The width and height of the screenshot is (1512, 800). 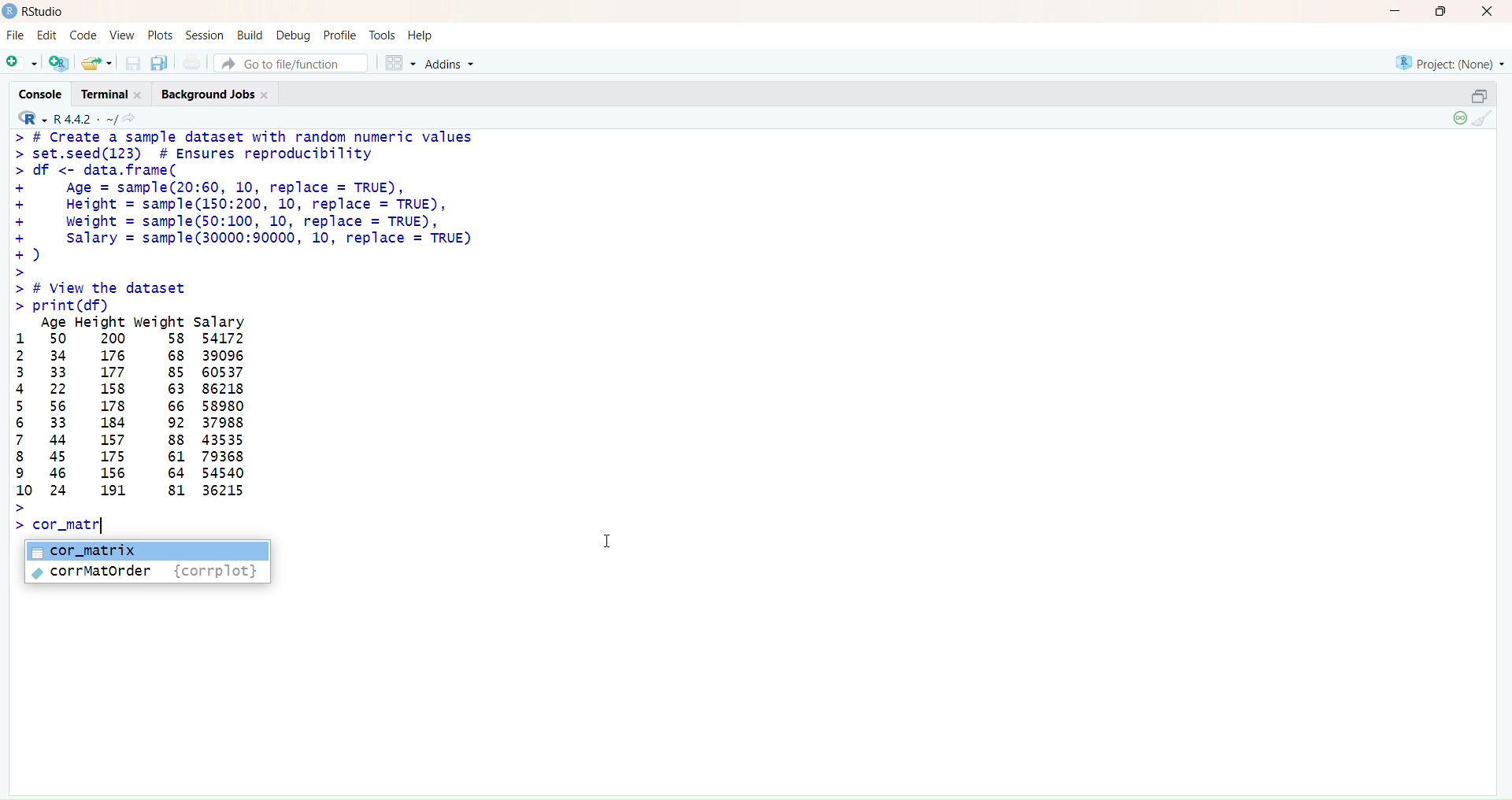 I want to click on Addons, so click(x=453, y=64).